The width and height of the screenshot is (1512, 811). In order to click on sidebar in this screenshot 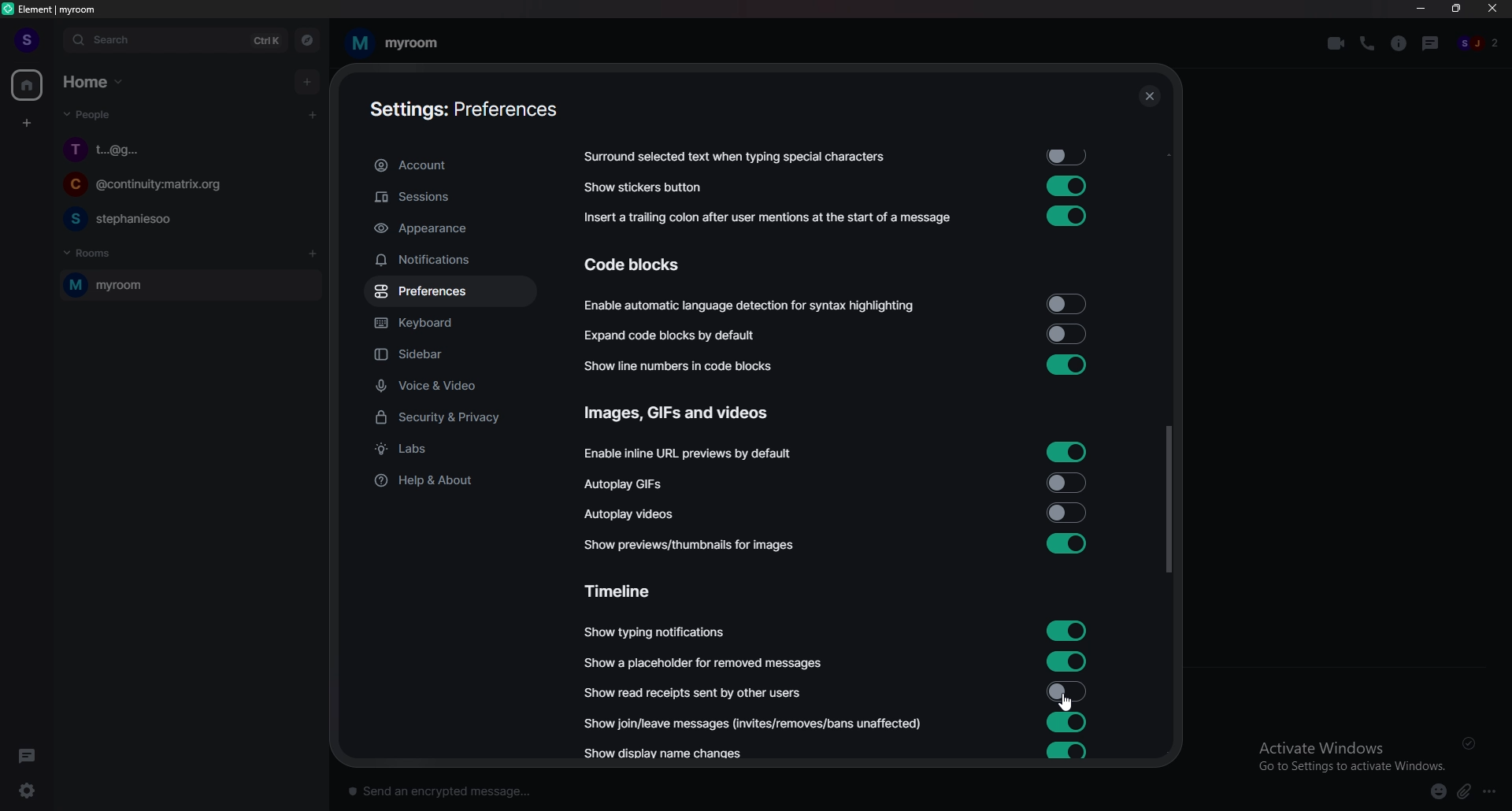, I will do `click(455, 356)`.